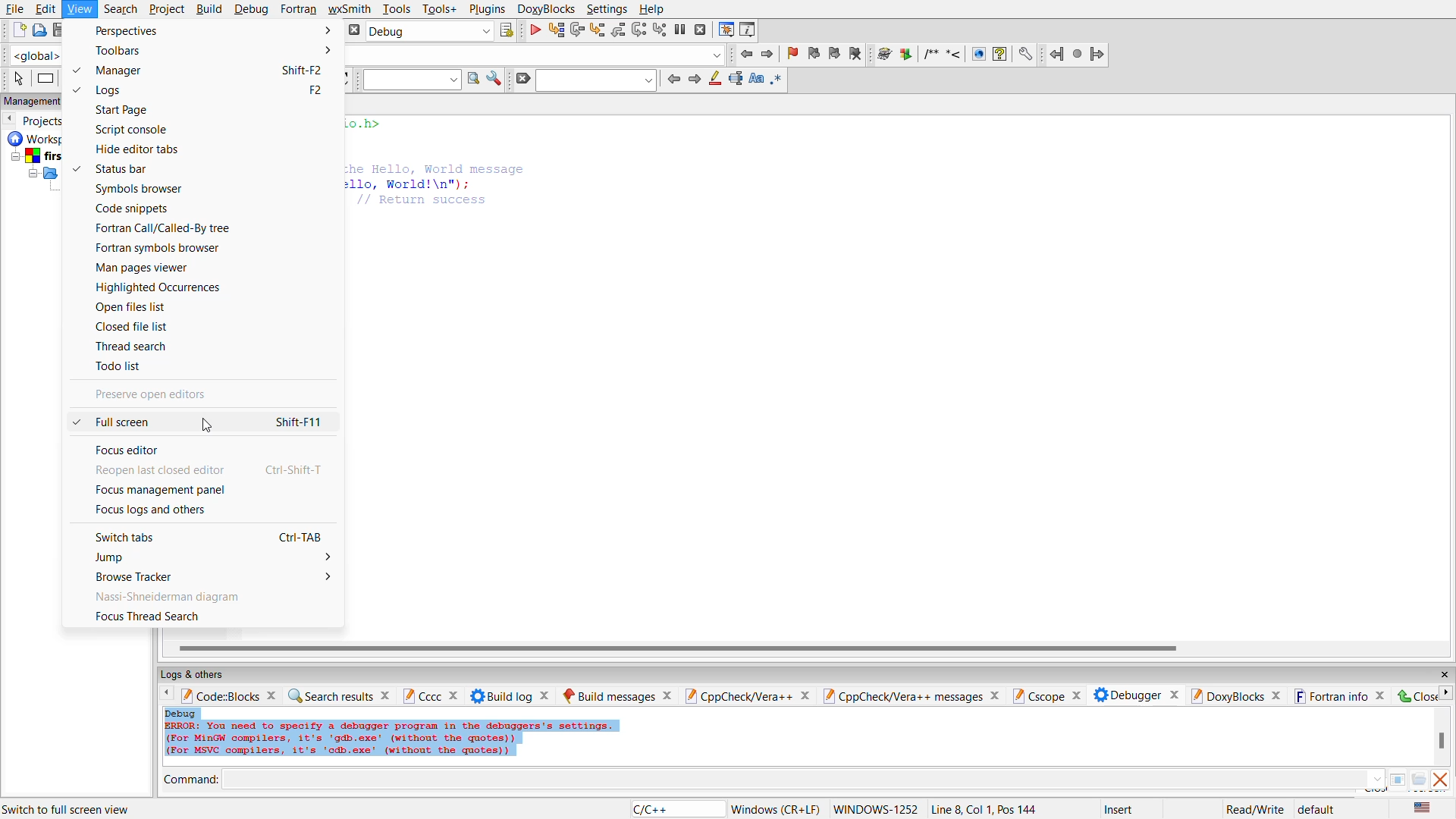  What do you see at coordinates (749, 31) in the screenshot?
I see `various info` at bounding box center [749, 31].